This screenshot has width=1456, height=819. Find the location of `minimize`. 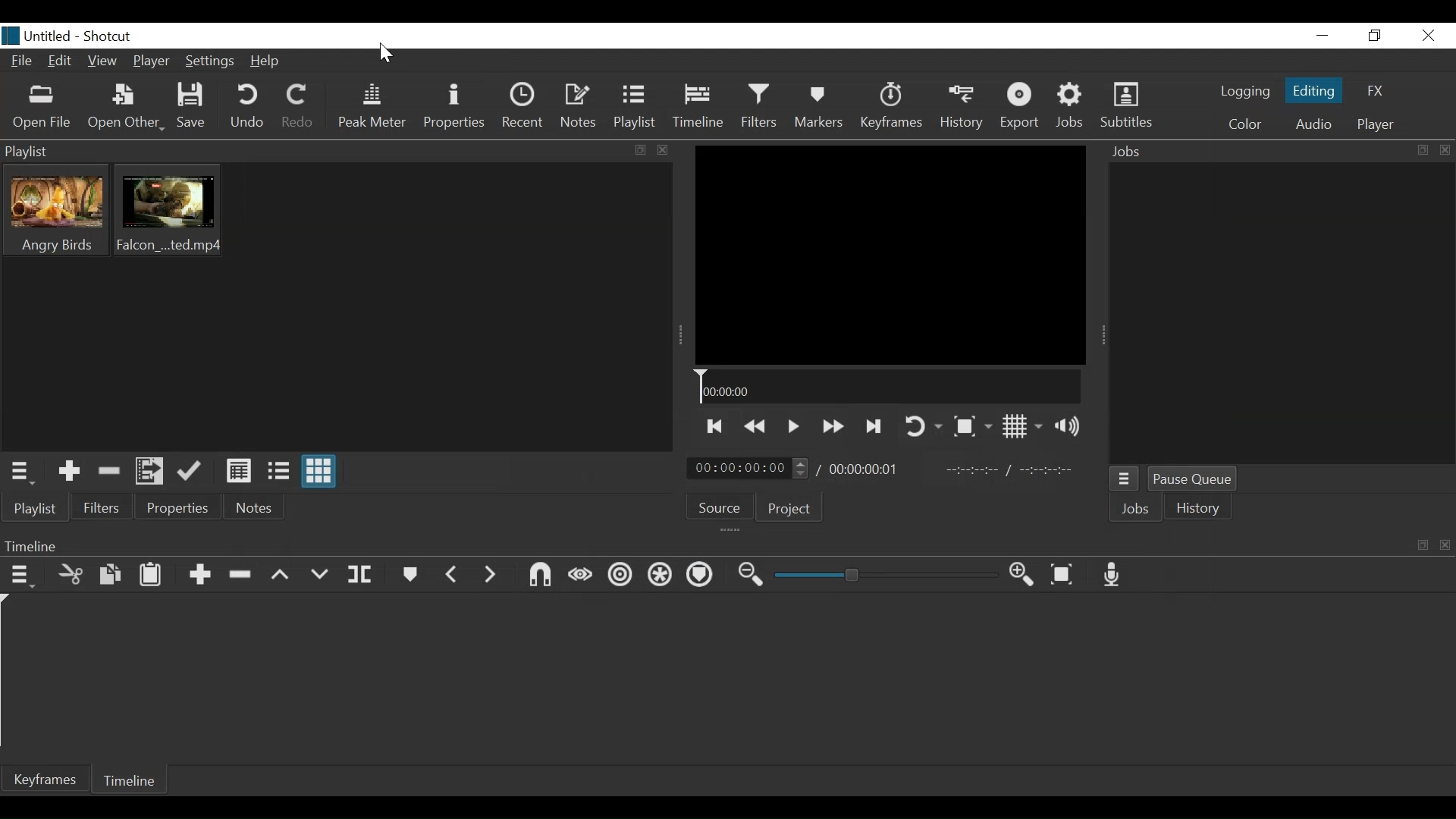

minimize is located at coordinates (1323, 35).